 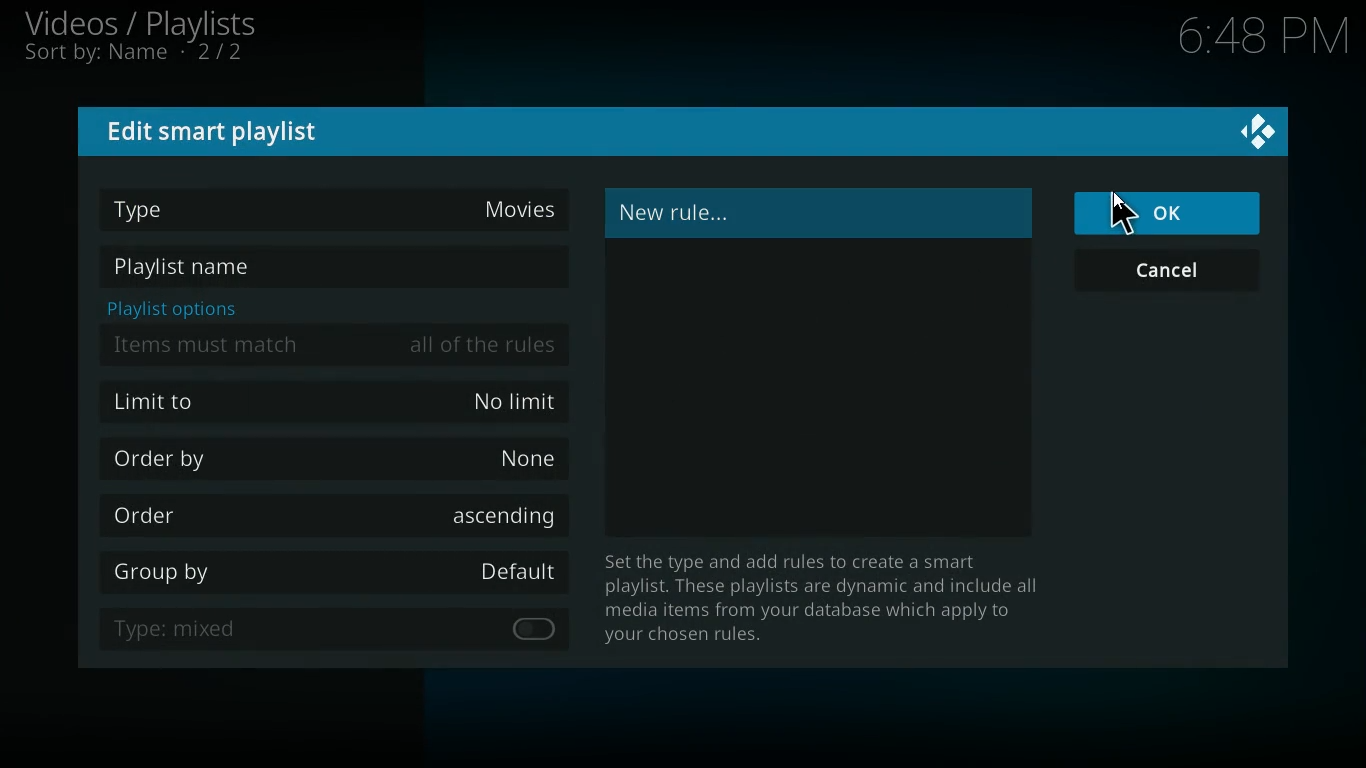 I want to click on order by, so click(x=339, y=460).